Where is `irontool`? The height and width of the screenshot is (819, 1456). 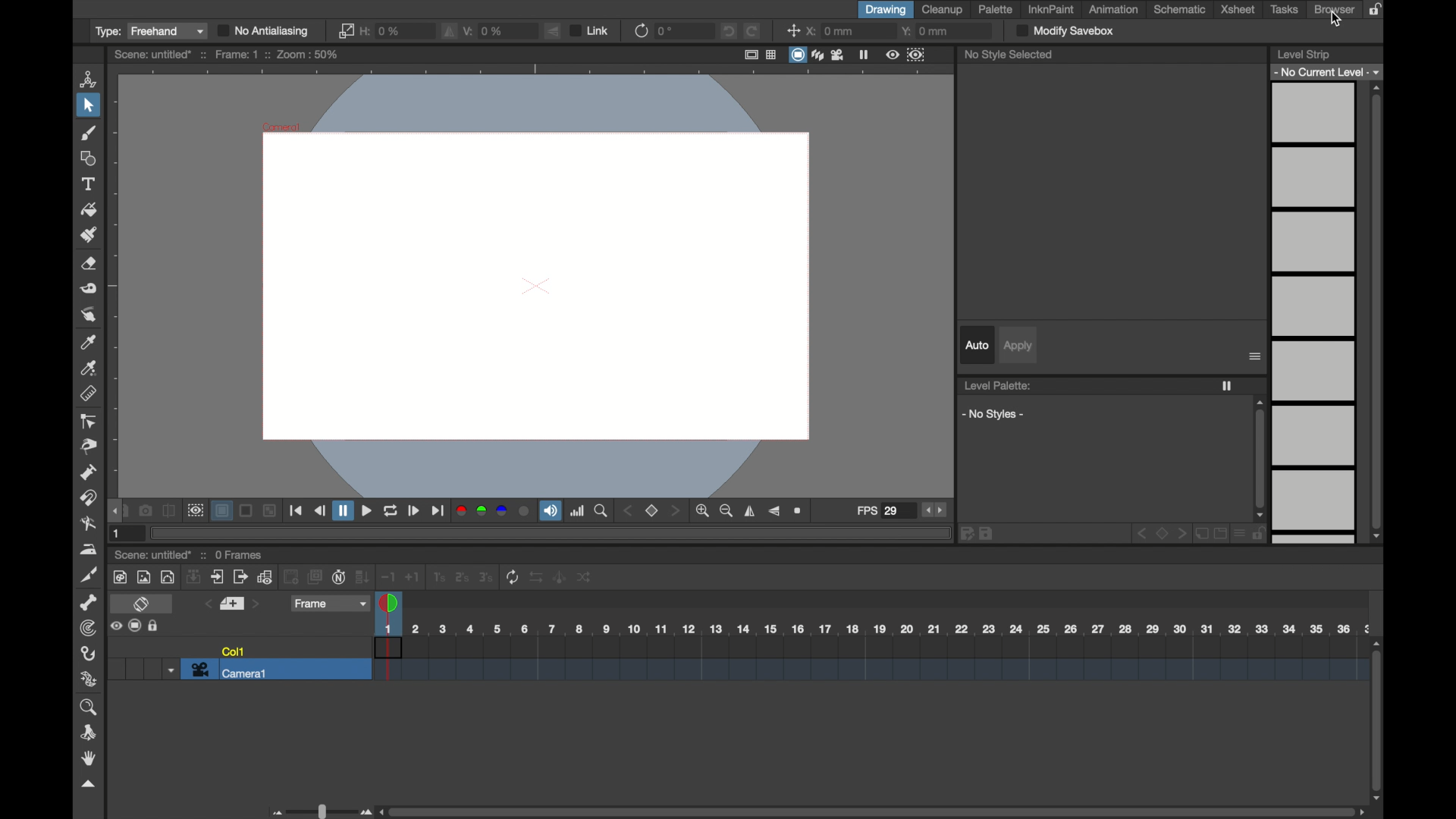 irontool is located at coordinates (86, 550).